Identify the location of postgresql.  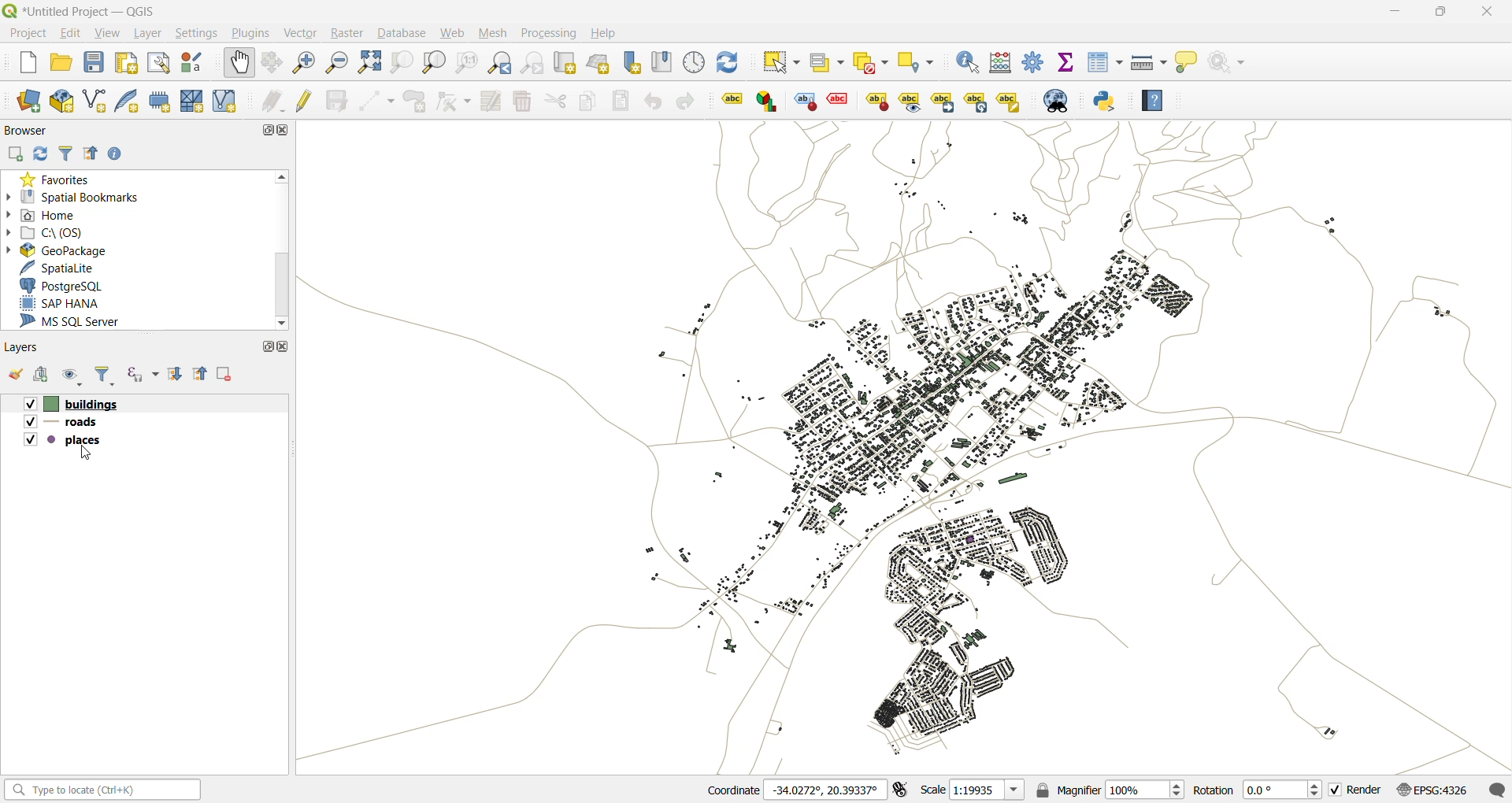
(76, 285).